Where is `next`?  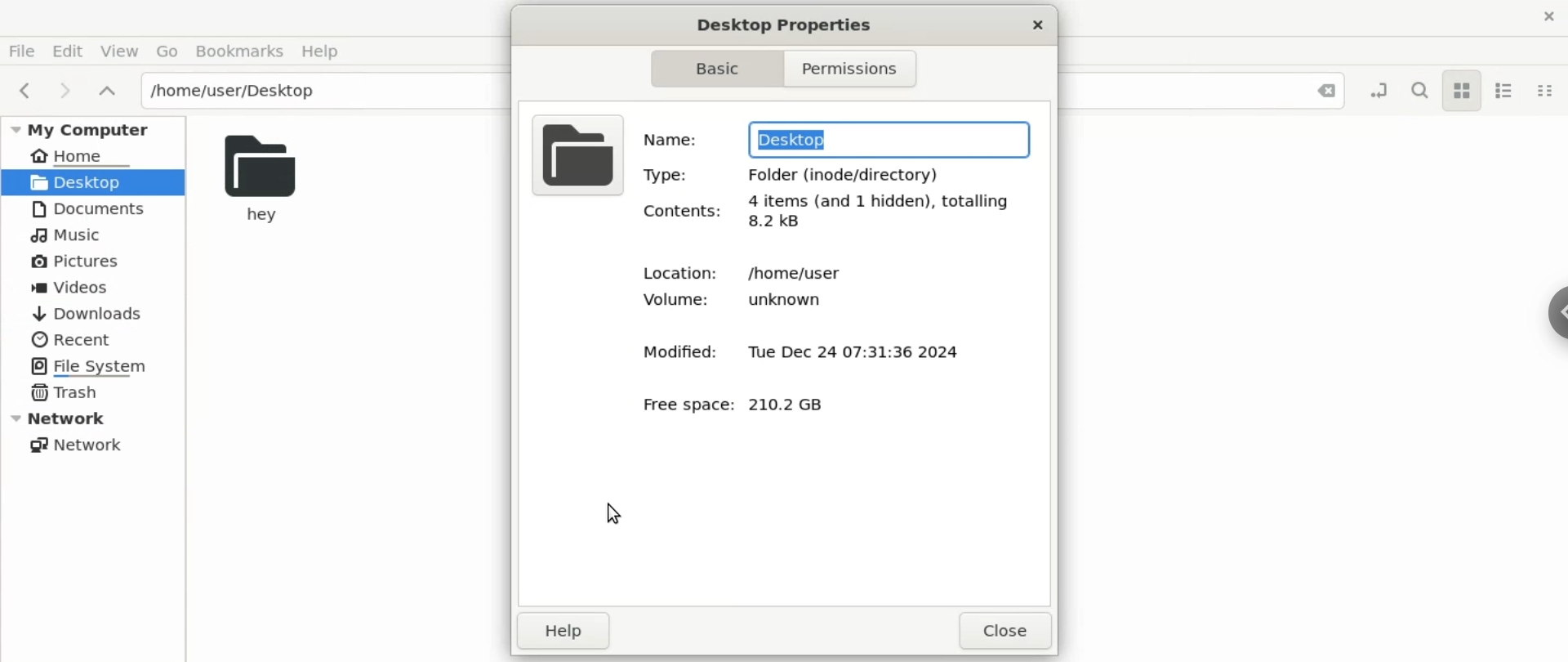 next is located at coordinates (67, 94).